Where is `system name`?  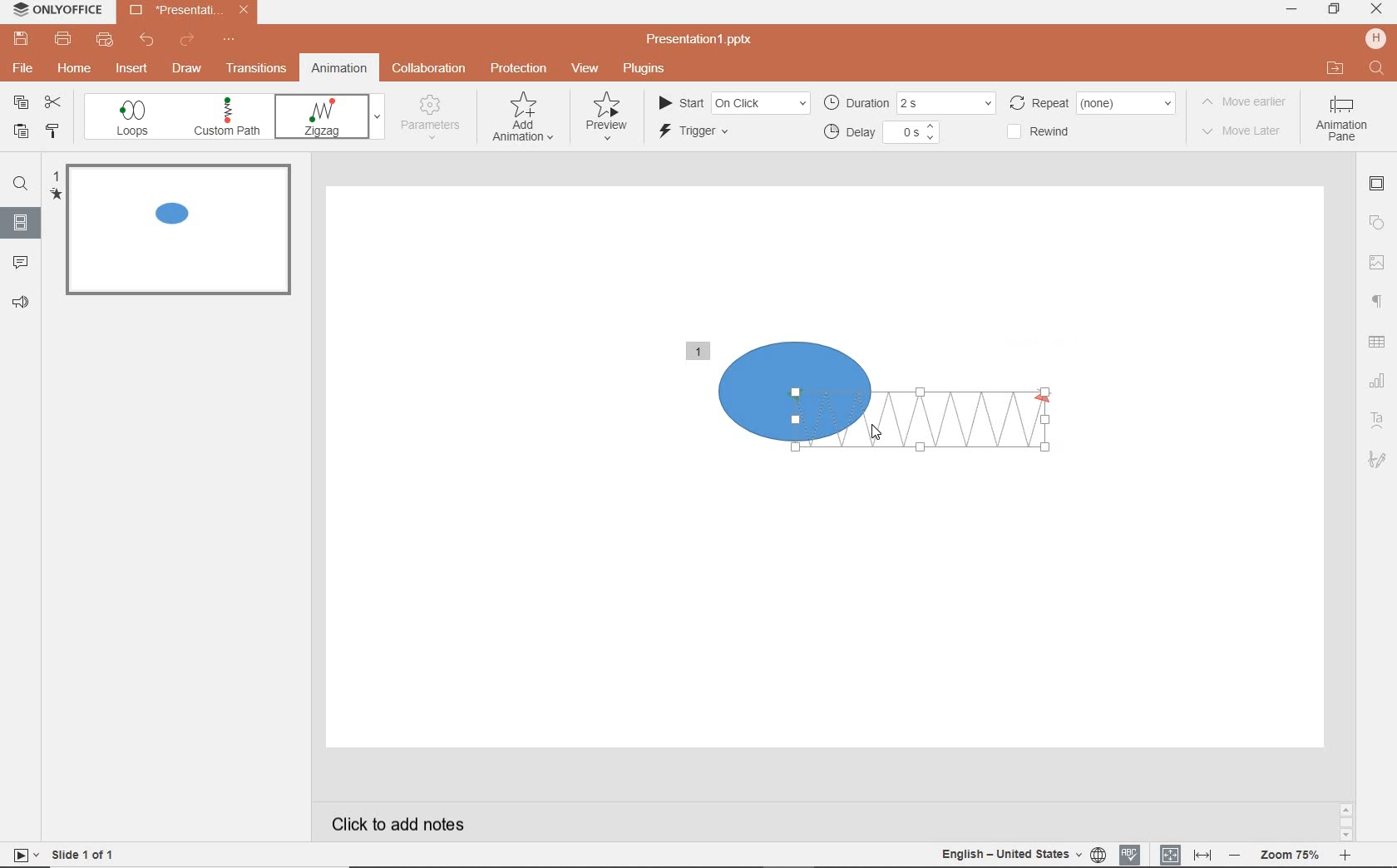 system name is located at coordinates (57, 10).